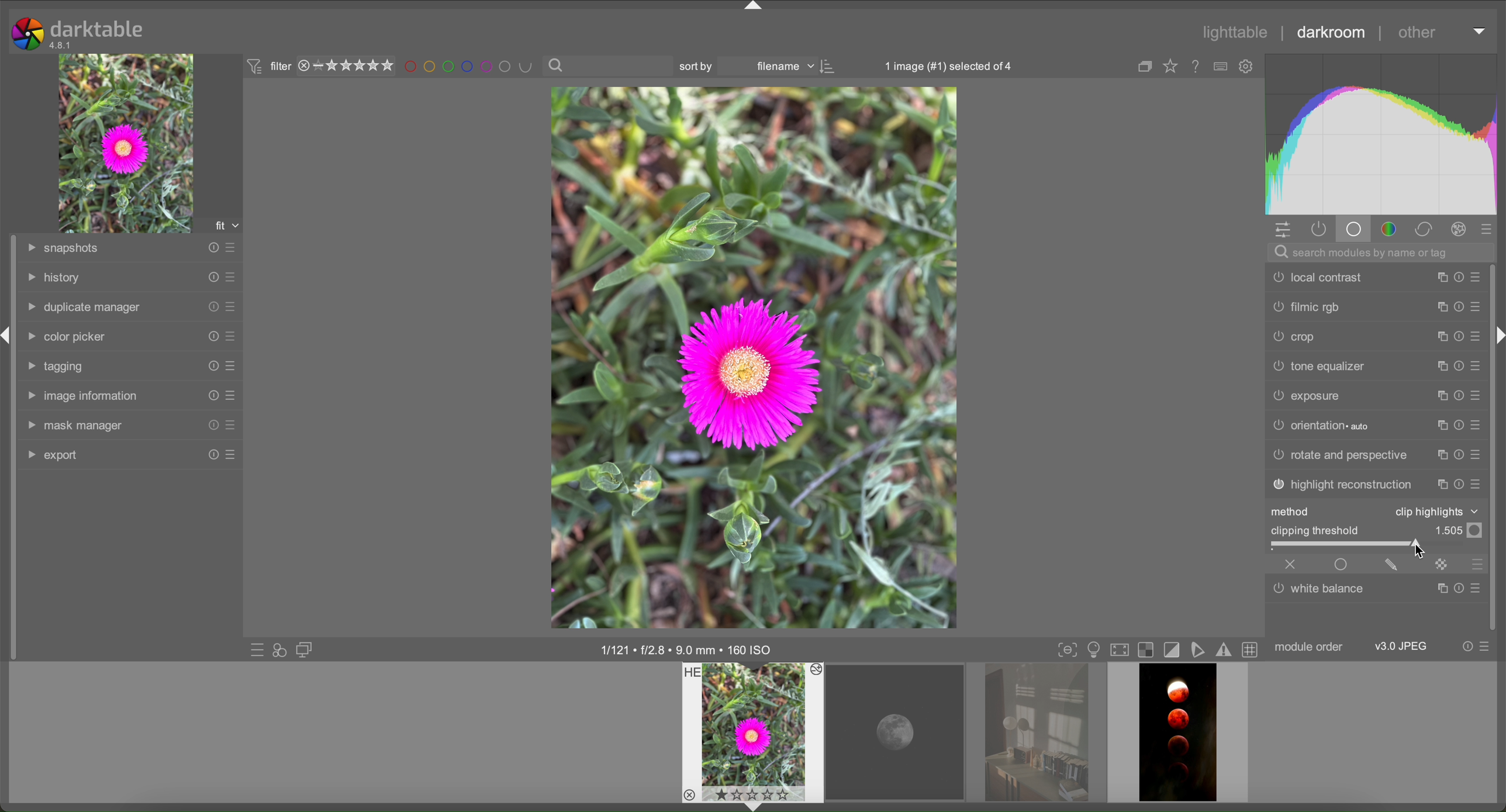 The width and height of the screenshot is (1506, 812). What do you see at coordinates (1068, 649) in the screenshot?
I see `toggle focus-peaking mode` at bounding box center [1068, 649].